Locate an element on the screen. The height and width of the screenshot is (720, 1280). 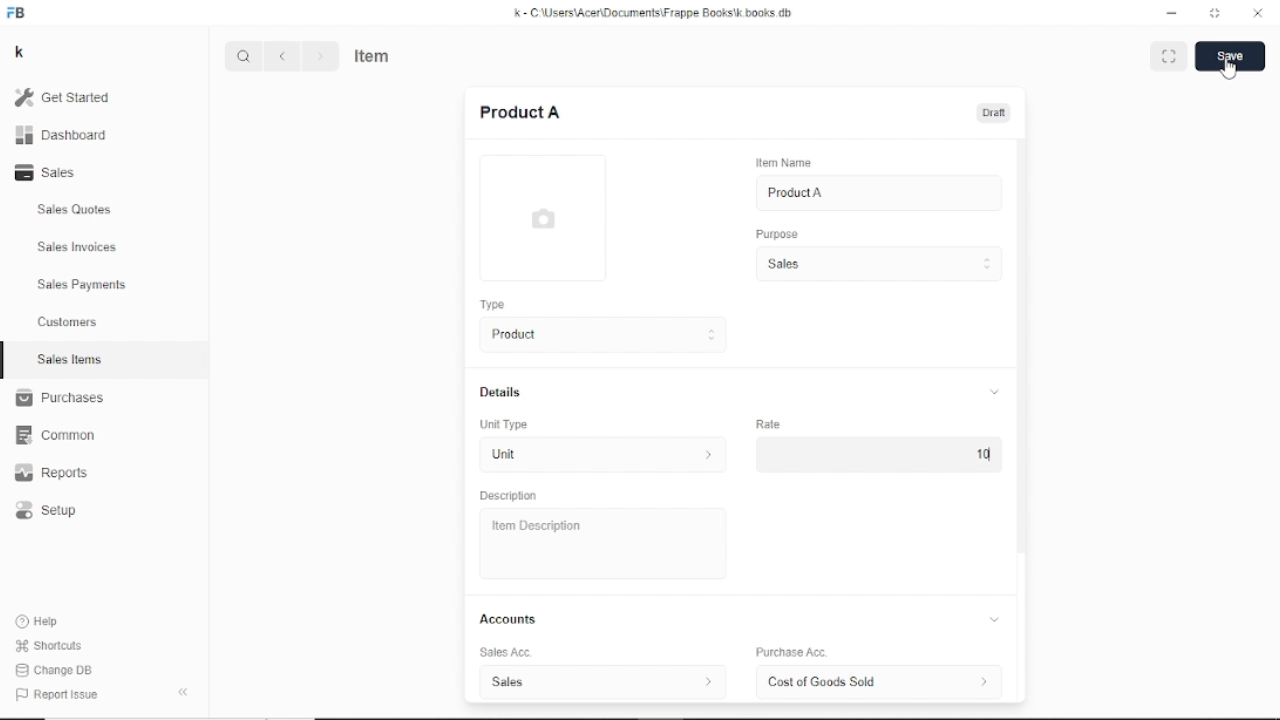
Picture is located at coordinates (542, 218).